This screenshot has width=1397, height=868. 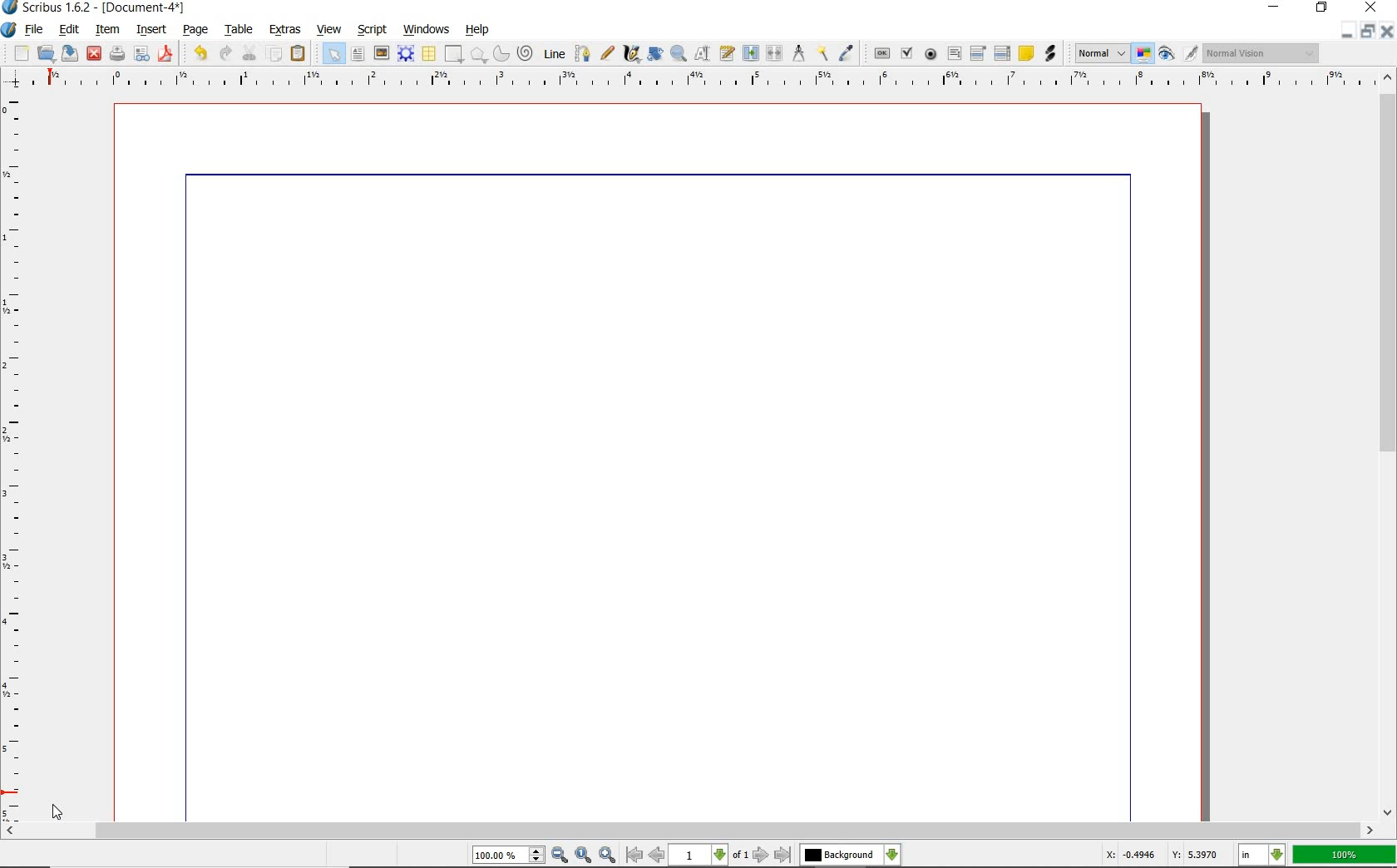 I want to click on go to first page, so click(x=634, y=856).